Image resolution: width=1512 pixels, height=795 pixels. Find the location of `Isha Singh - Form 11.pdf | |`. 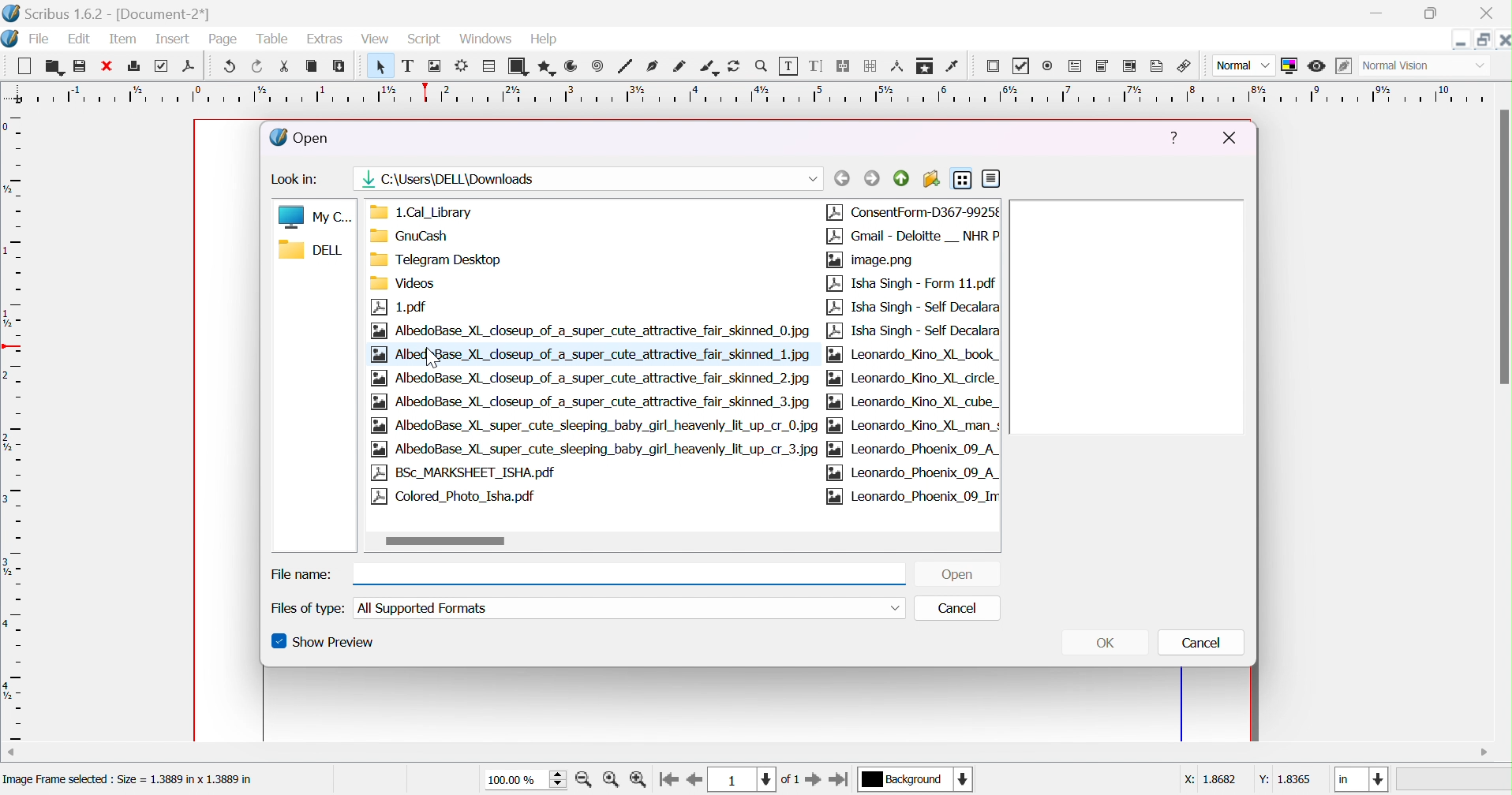

Isha Singh - Form 11.pdf | | is located at coordinates (910, 284).